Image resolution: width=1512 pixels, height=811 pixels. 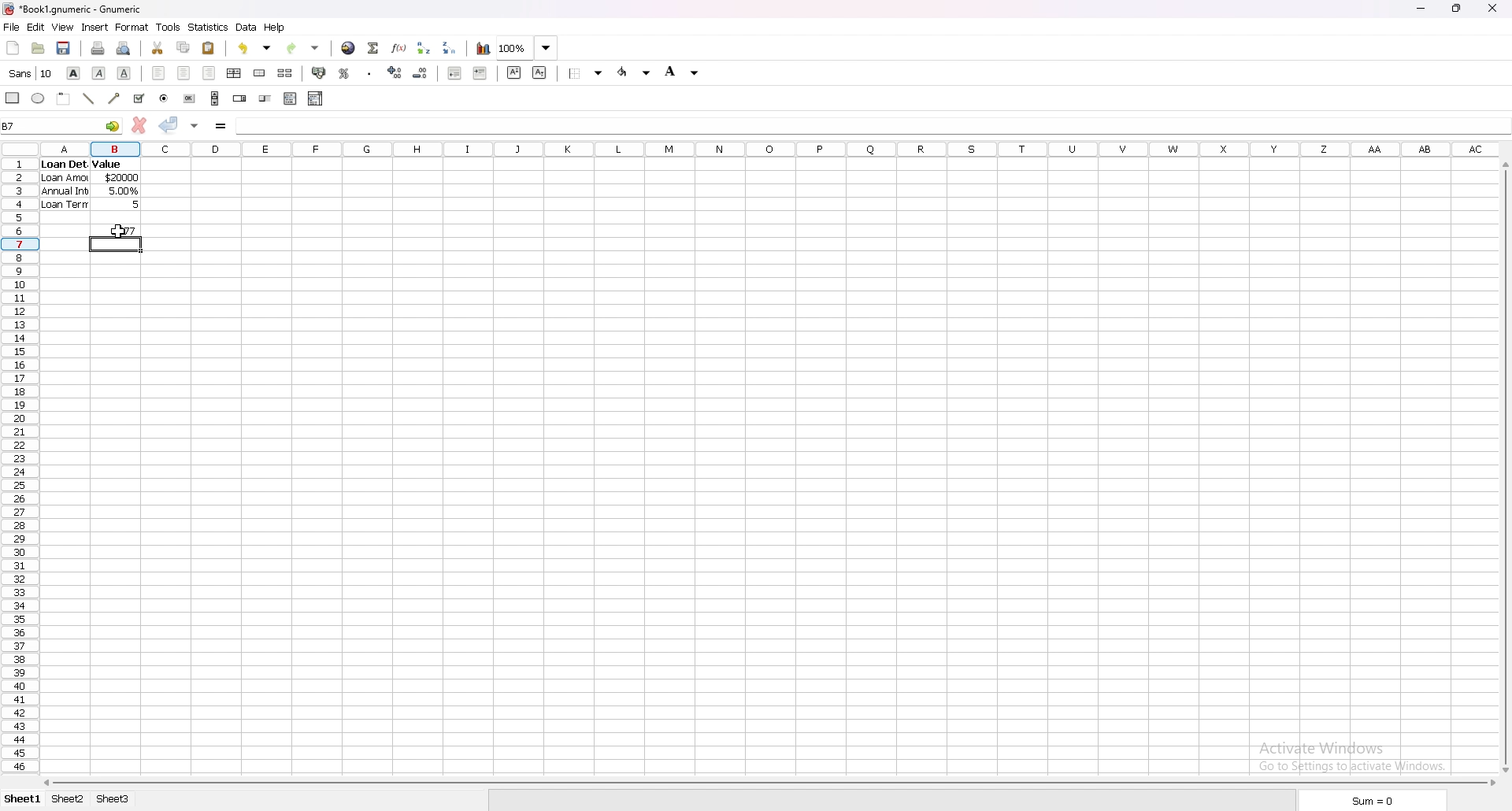 What do you see at coordinates (765, 150) in the screenshot?
I see `column` at bounding box center [765, 150].